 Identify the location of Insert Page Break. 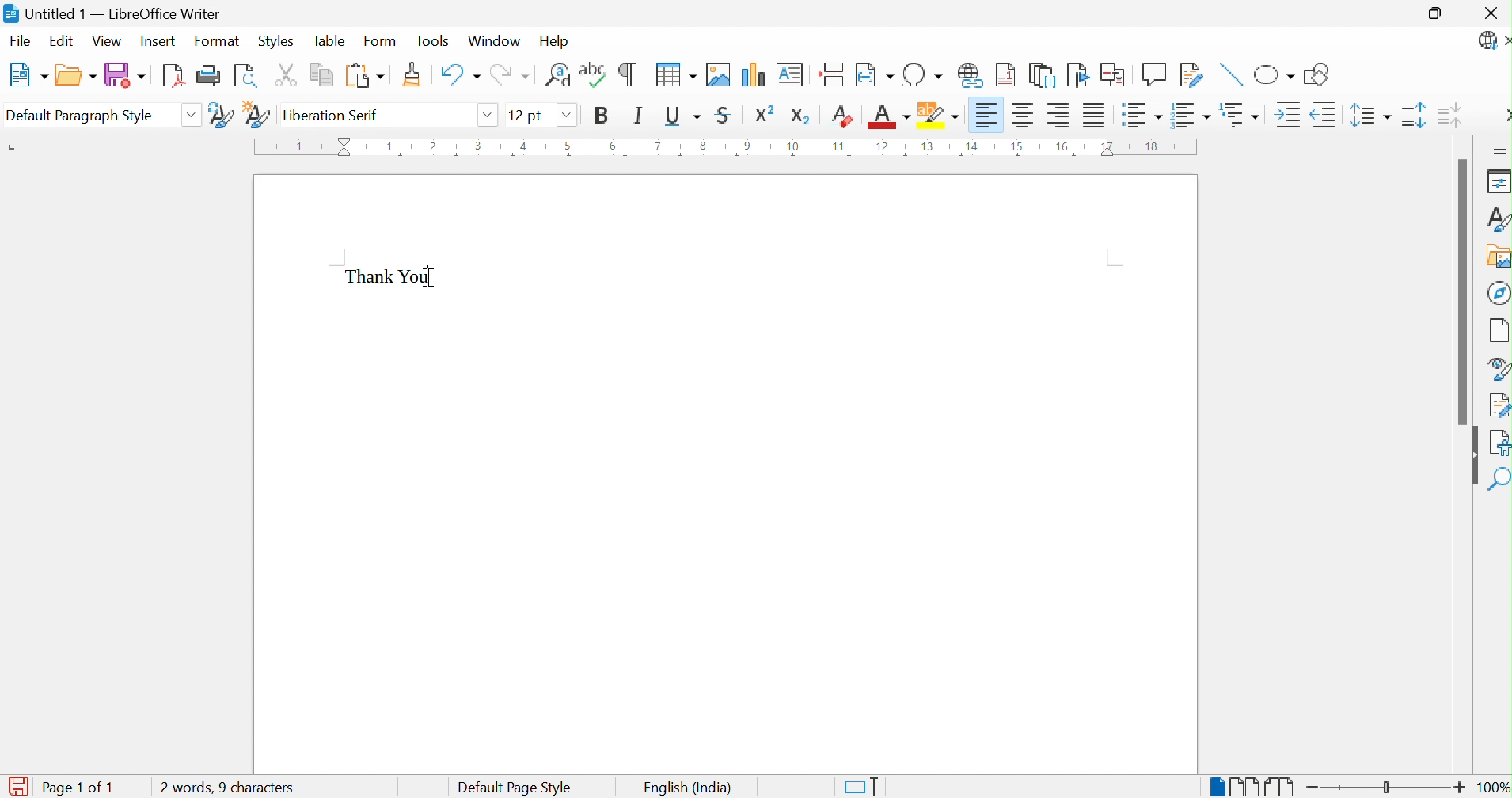
(831, 74).